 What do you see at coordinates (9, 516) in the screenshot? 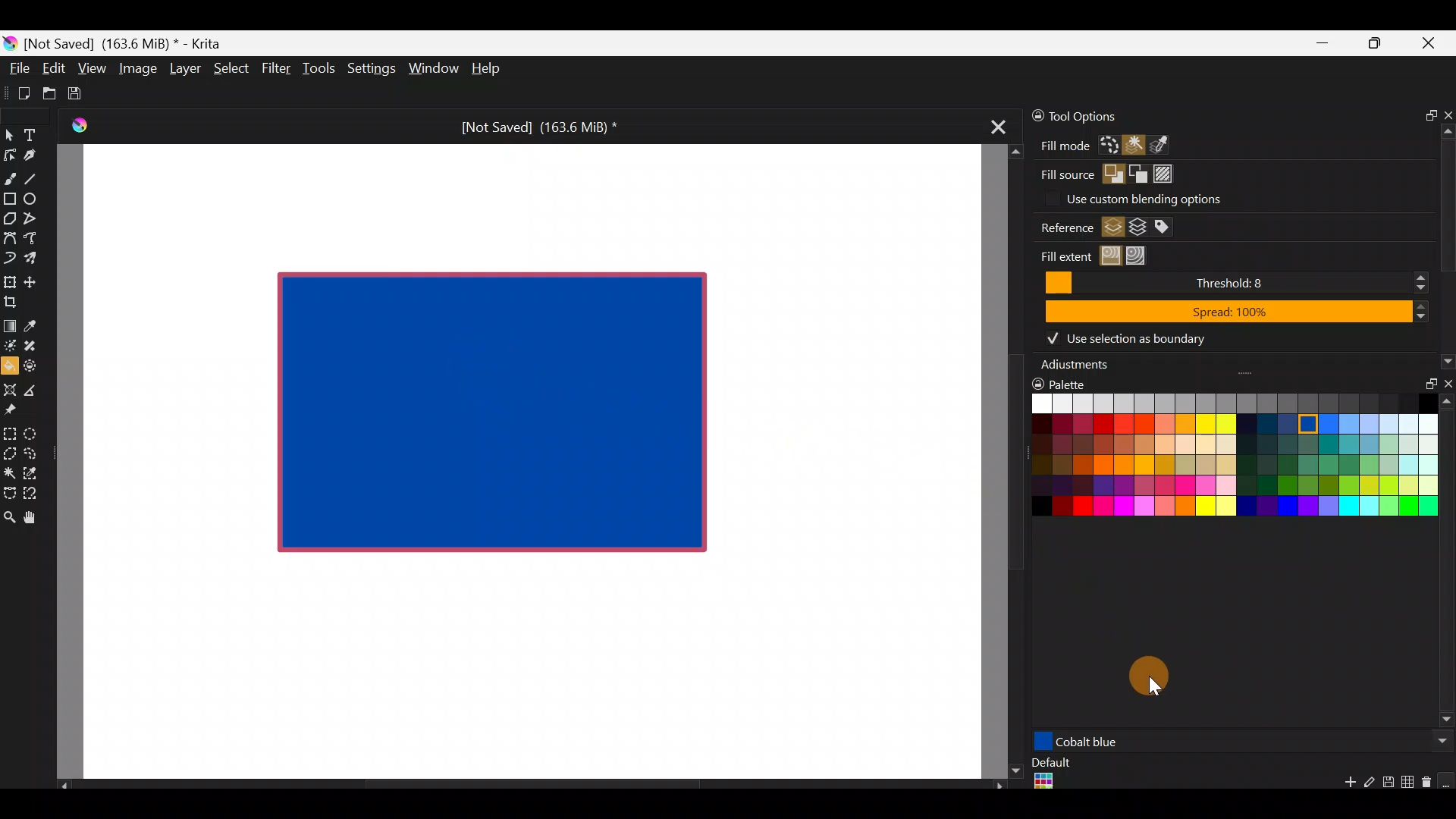
I see `Zoom tool` at bounding box center [9, 516].